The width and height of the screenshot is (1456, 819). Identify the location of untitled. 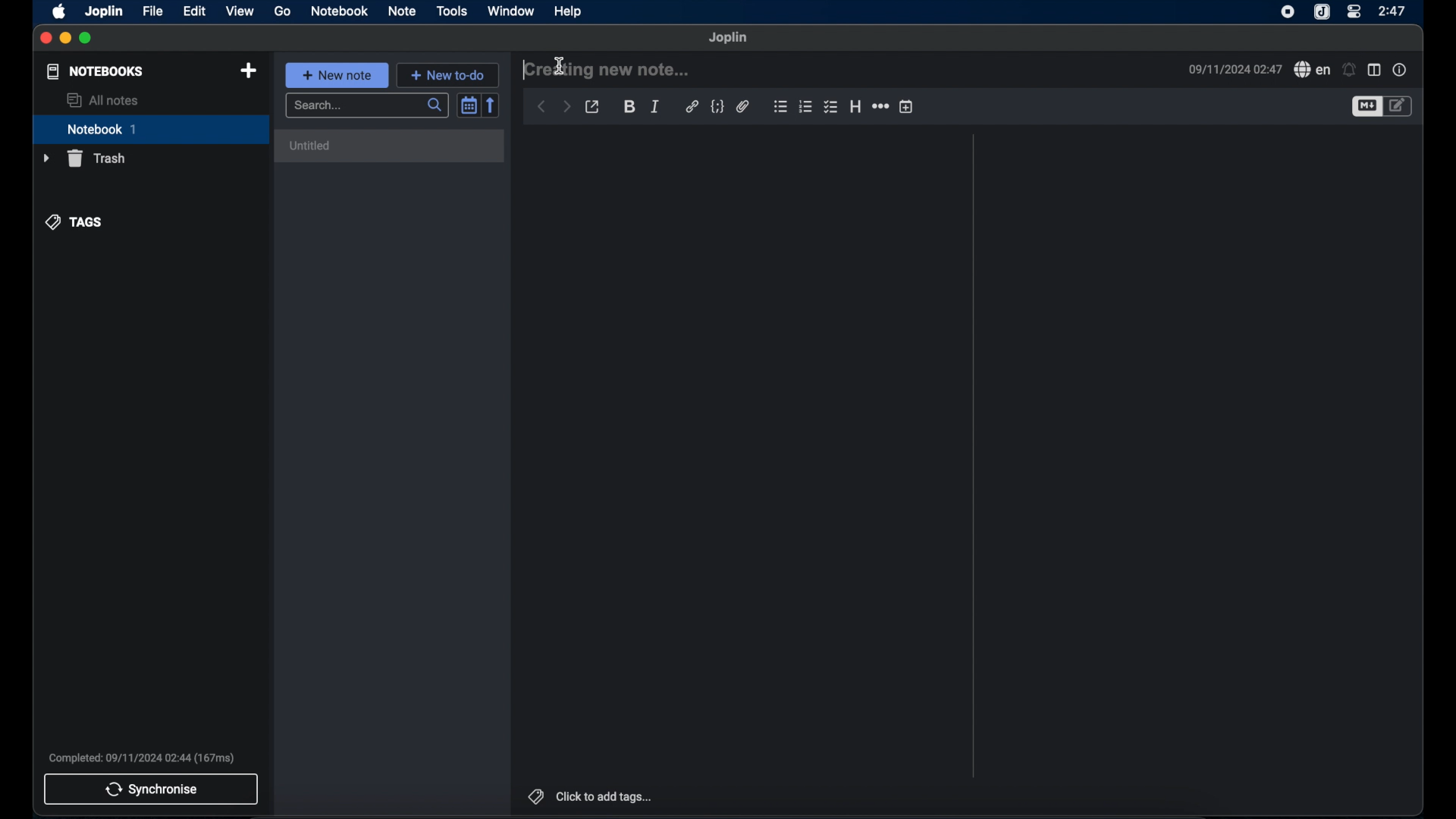
(392, 144).